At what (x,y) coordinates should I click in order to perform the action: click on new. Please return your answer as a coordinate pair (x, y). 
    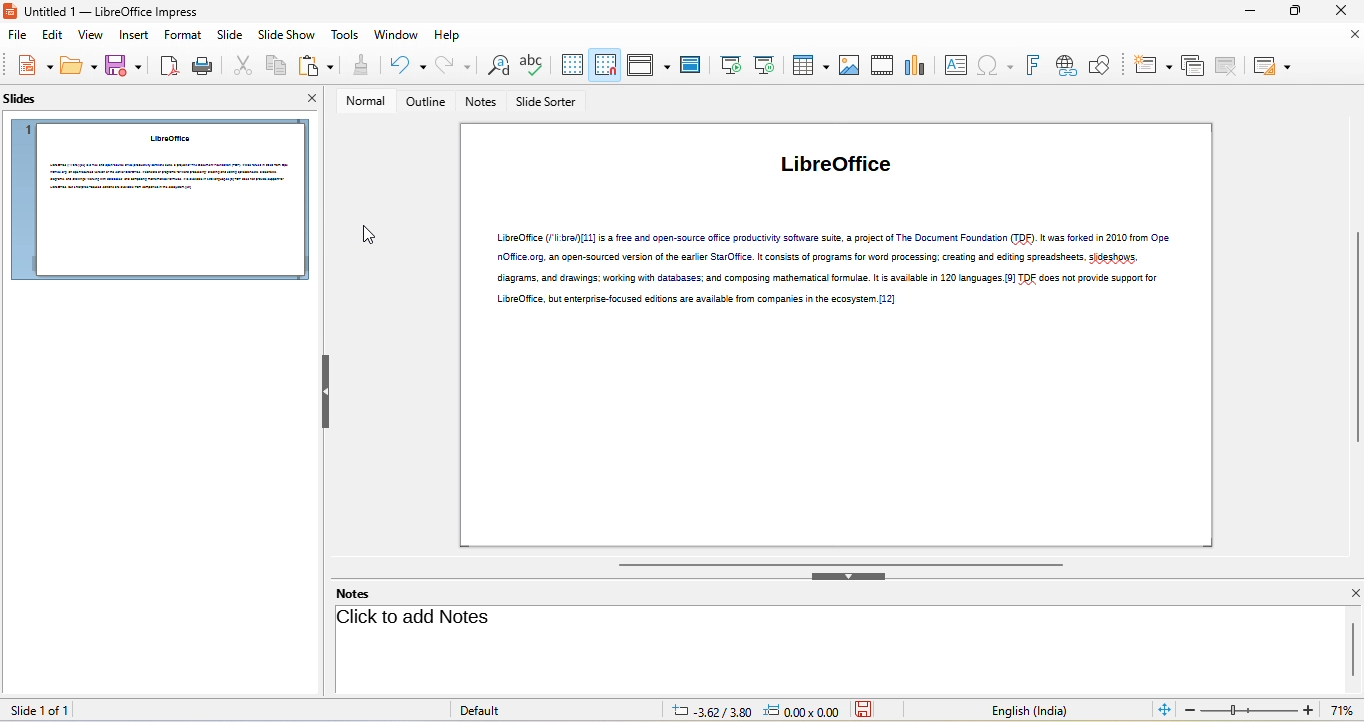
    Looking at the image, I should click on (35, 65).